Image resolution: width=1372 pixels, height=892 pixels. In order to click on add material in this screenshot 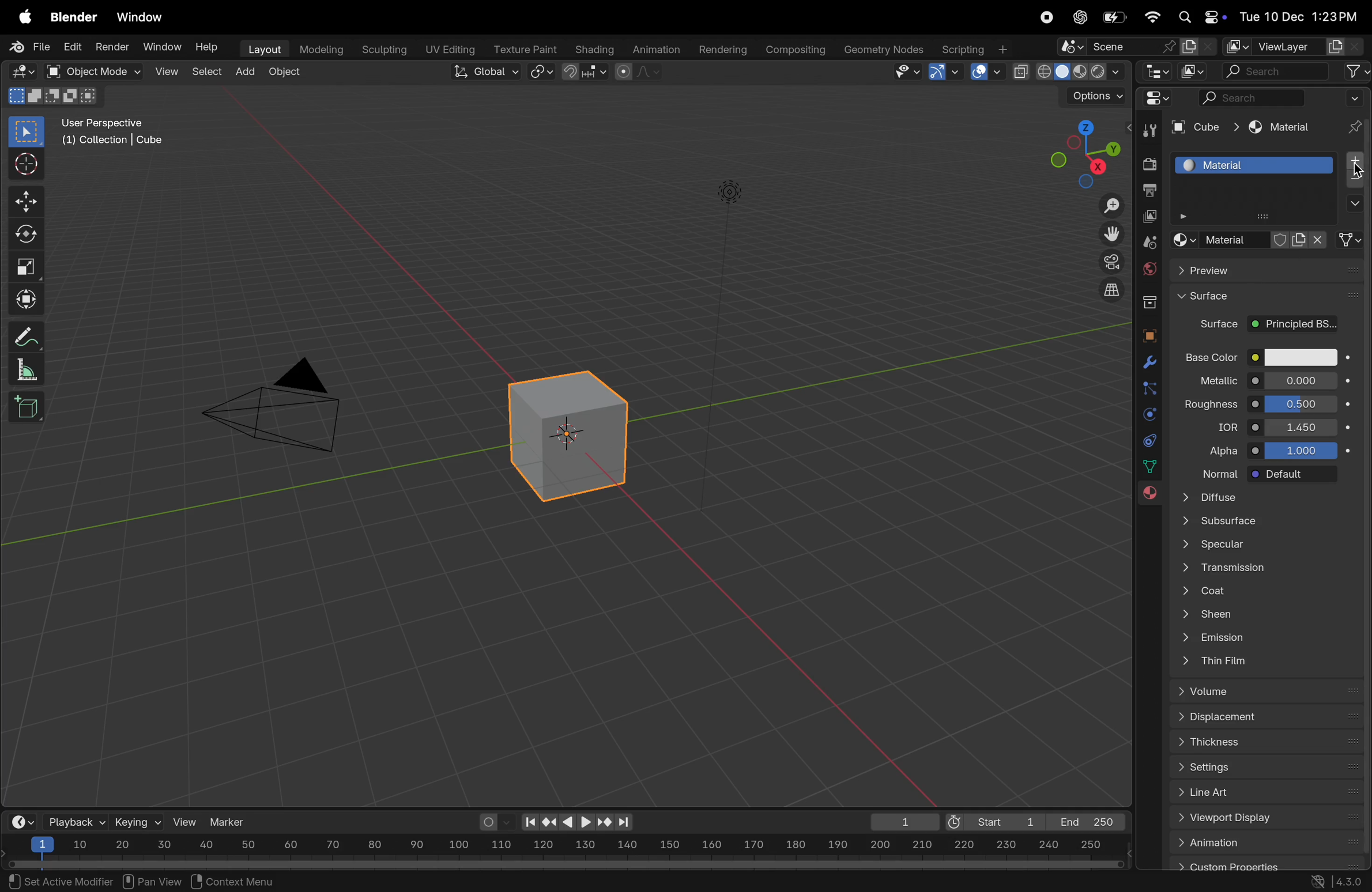, I will do `click(1352, 161)`.